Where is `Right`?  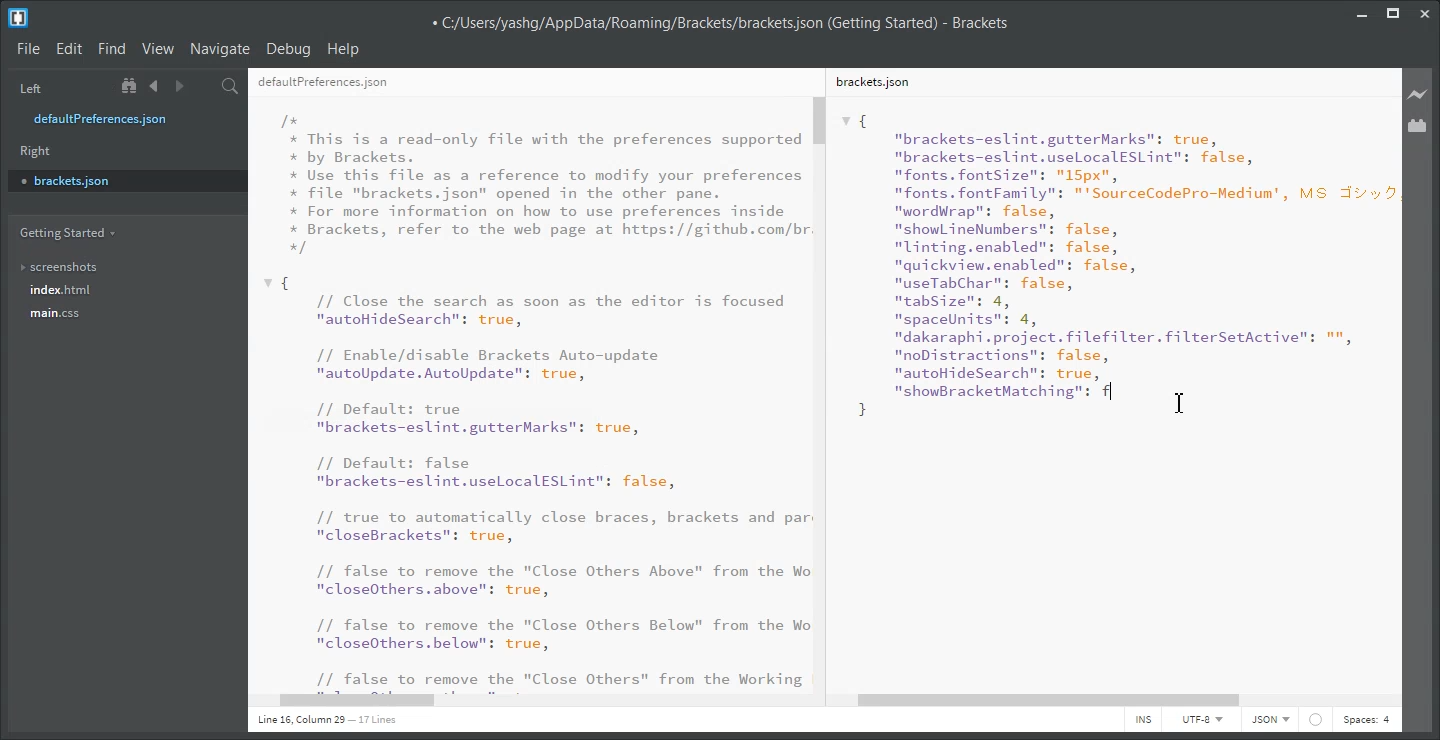
Right is located at coordinates (36, 151).